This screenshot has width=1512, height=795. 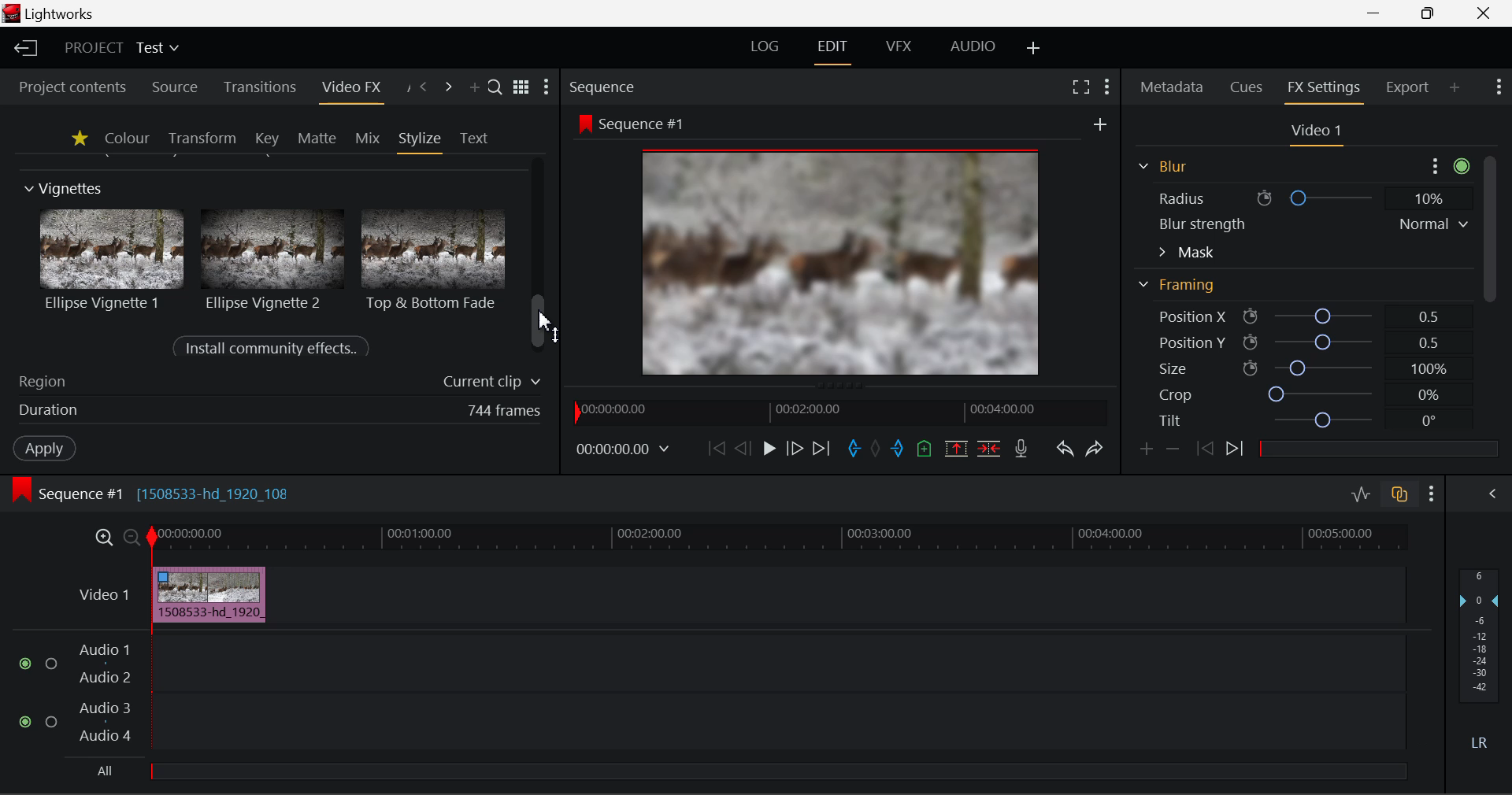 What do you see at coordinates (1321, 90) in the screenshot?
I see `FX Settings Panel Open` at bounding box center [1321, 90].